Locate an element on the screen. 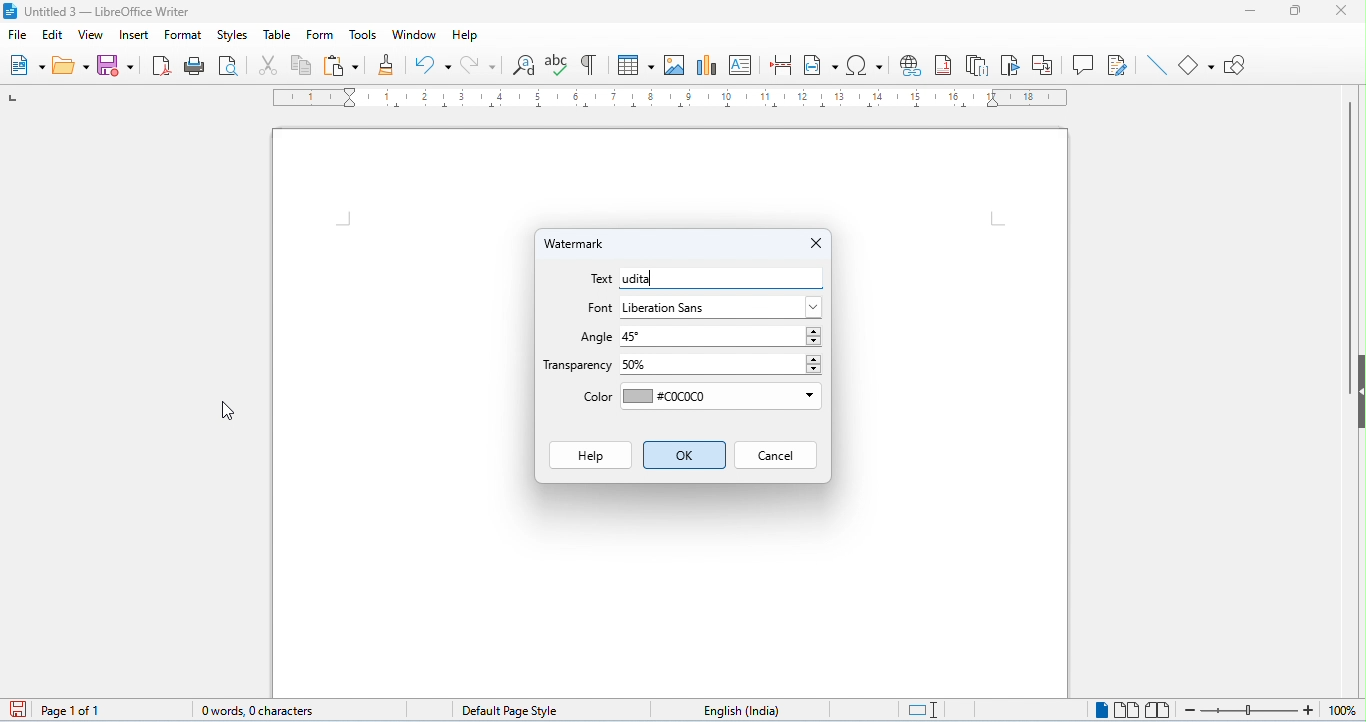 The height and width of the screenshot is (722, 1366). 0 words, 0 characters is located at coordinates (249, 708).